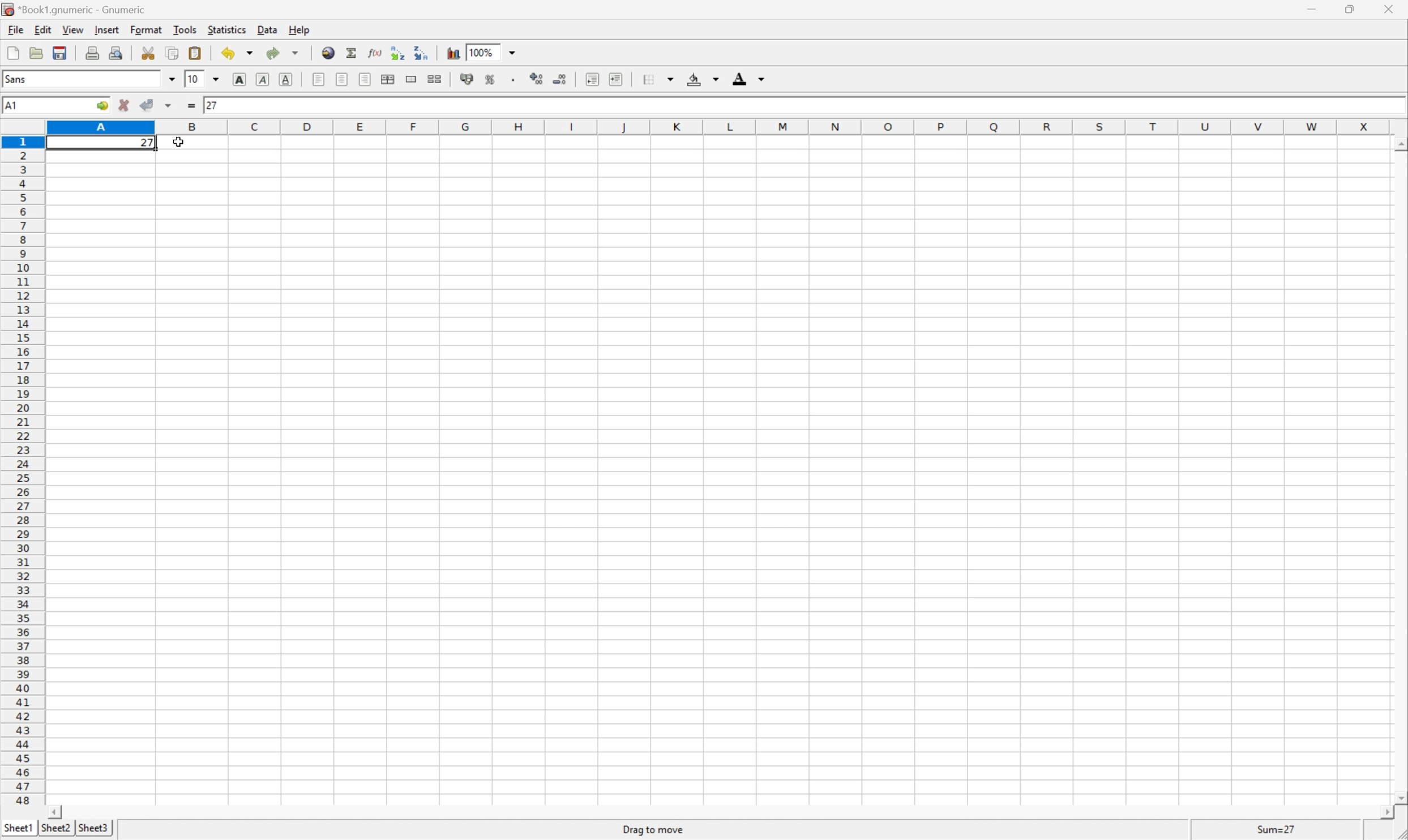 Image resolution: width=1408 pixels, height=840 pixels. I want to click on Close, so click(1388, 8).